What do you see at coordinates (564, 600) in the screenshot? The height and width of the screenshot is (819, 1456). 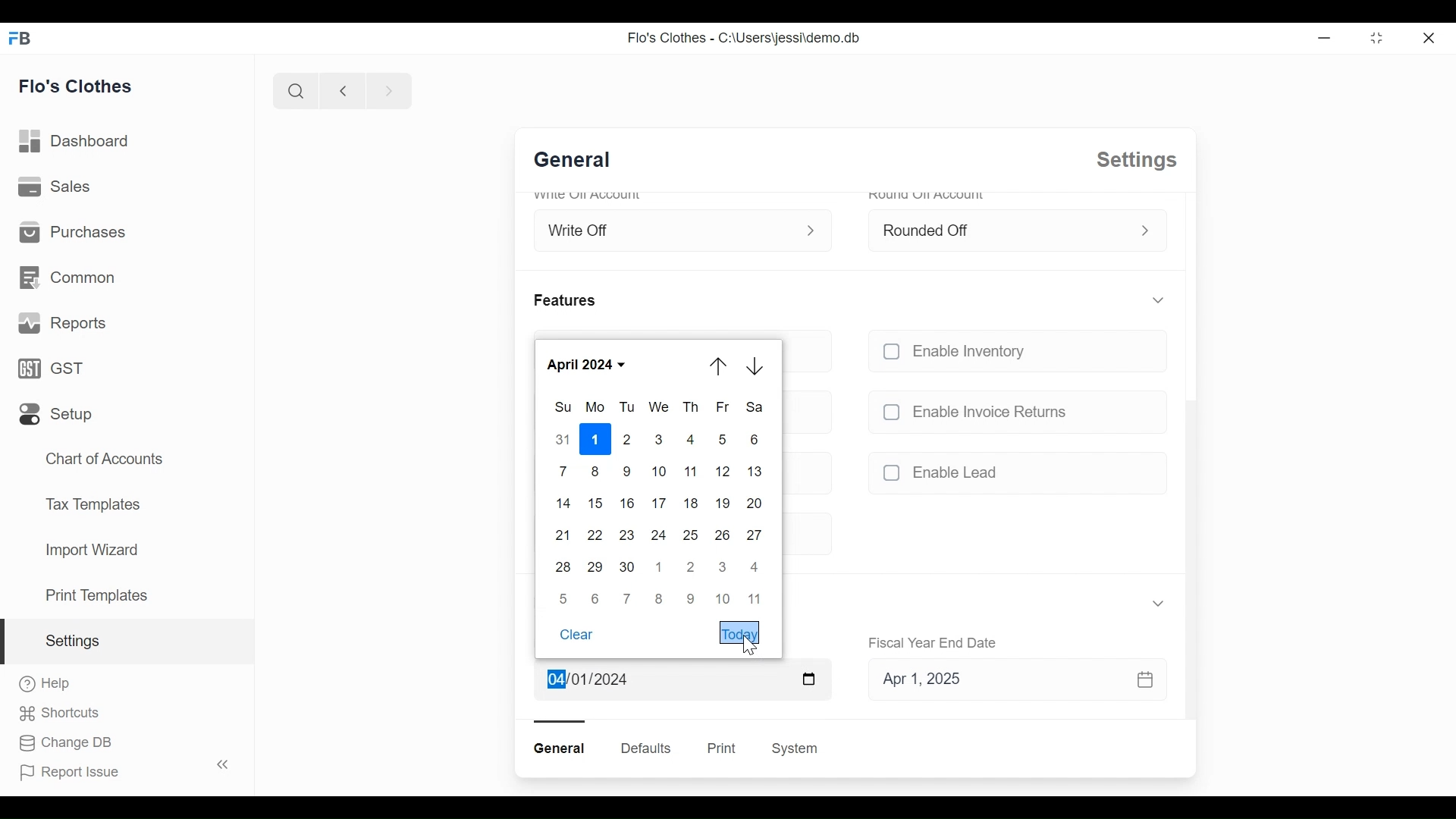 I see `5` at bounding box center [564, 600].